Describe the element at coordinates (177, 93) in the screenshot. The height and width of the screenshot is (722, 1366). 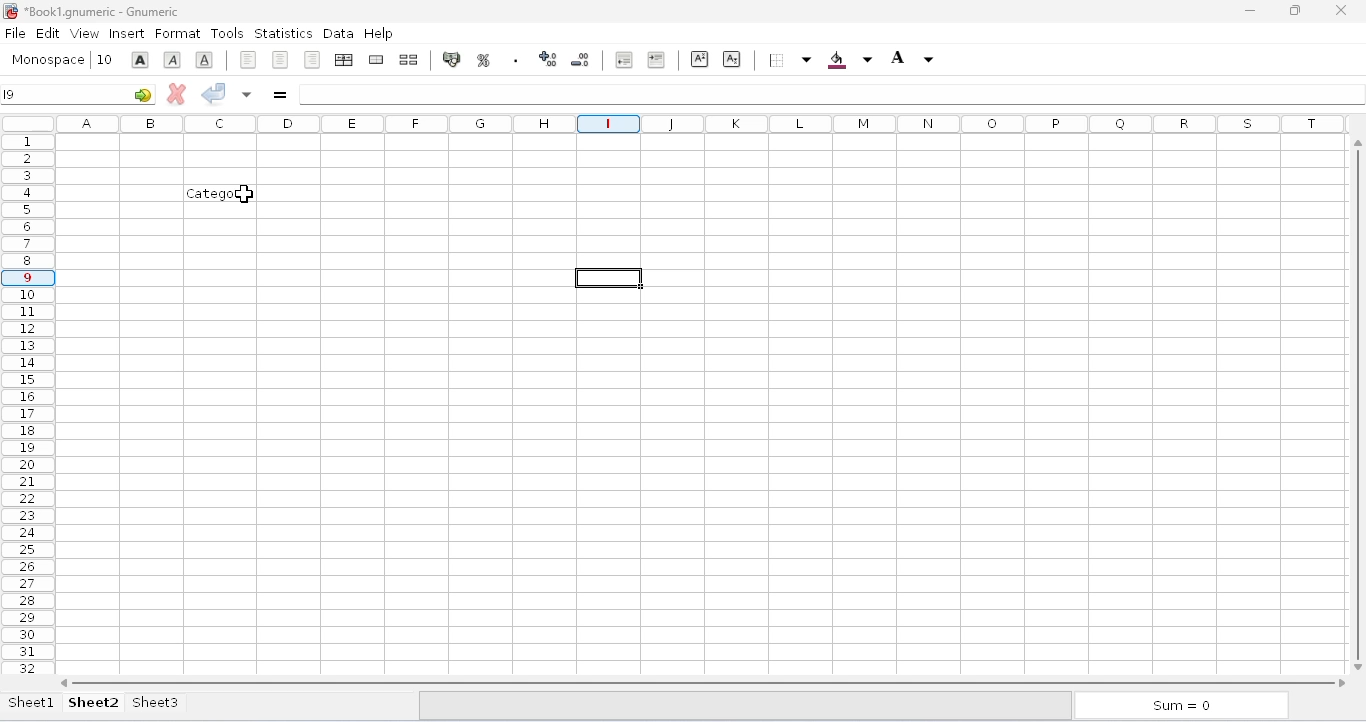
I see `cancel change` at that location.